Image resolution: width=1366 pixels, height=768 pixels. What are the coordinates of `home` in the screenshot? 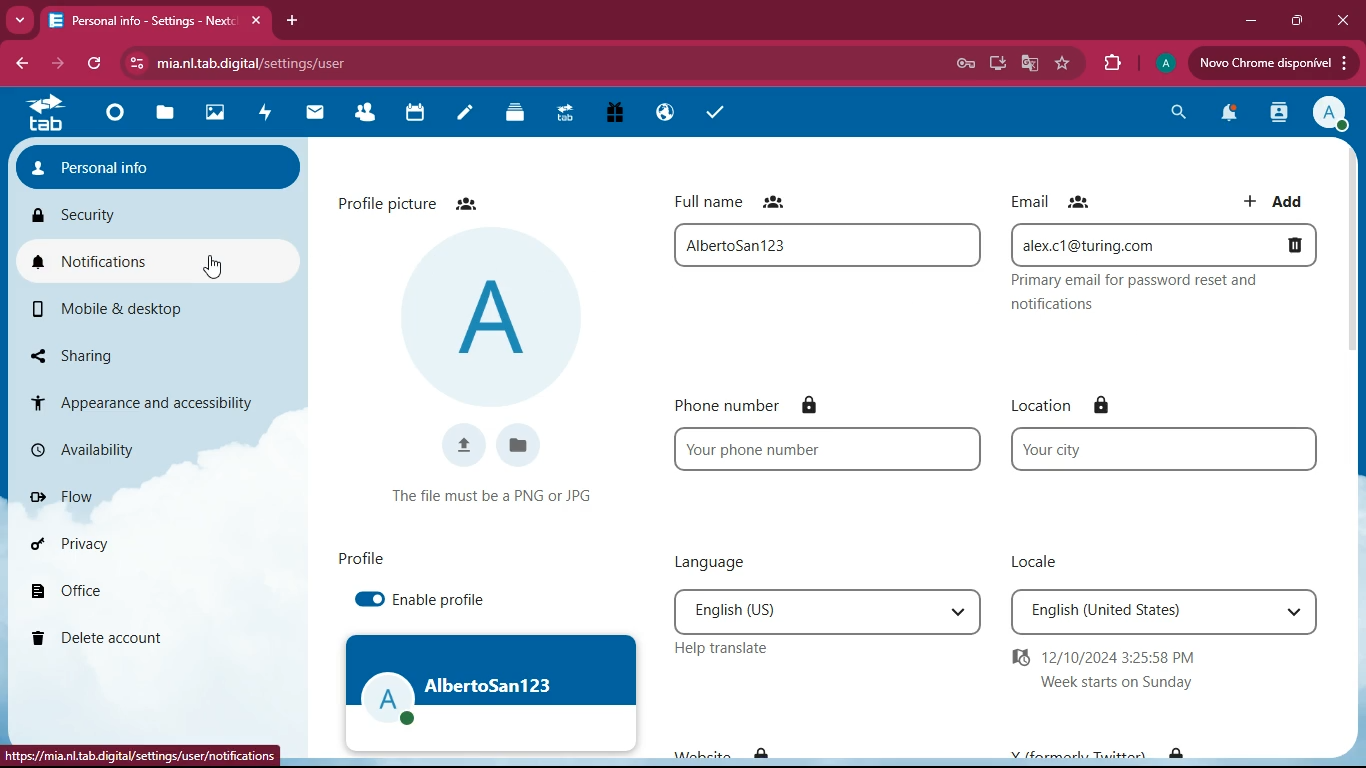 It's located at (119, 120).